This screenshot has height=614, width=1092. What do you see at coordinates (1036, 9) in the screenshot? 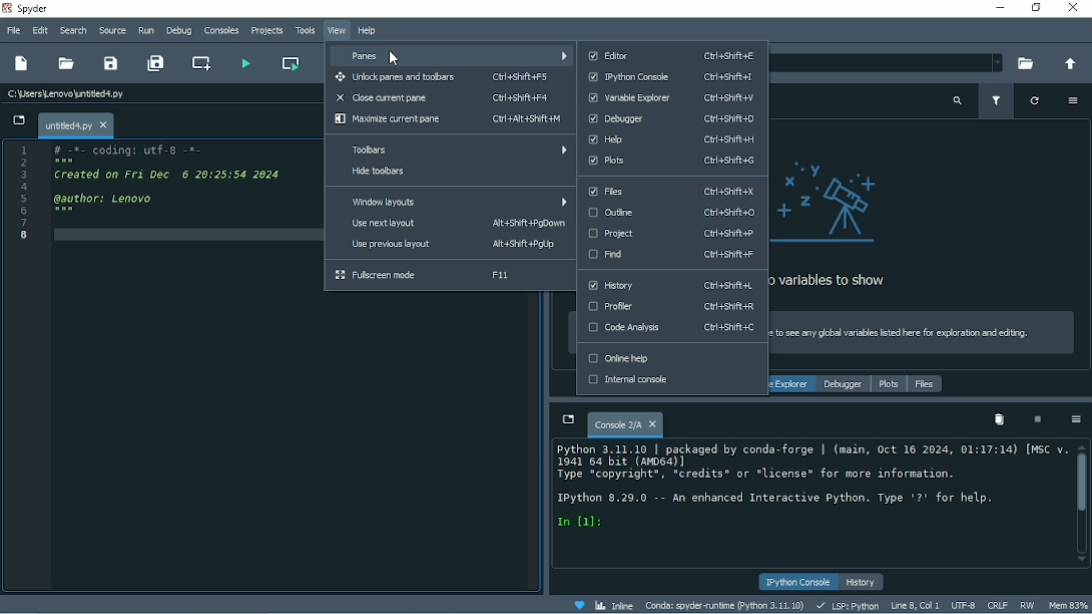
I see `Restore down` at bounding box center [1036, 9].